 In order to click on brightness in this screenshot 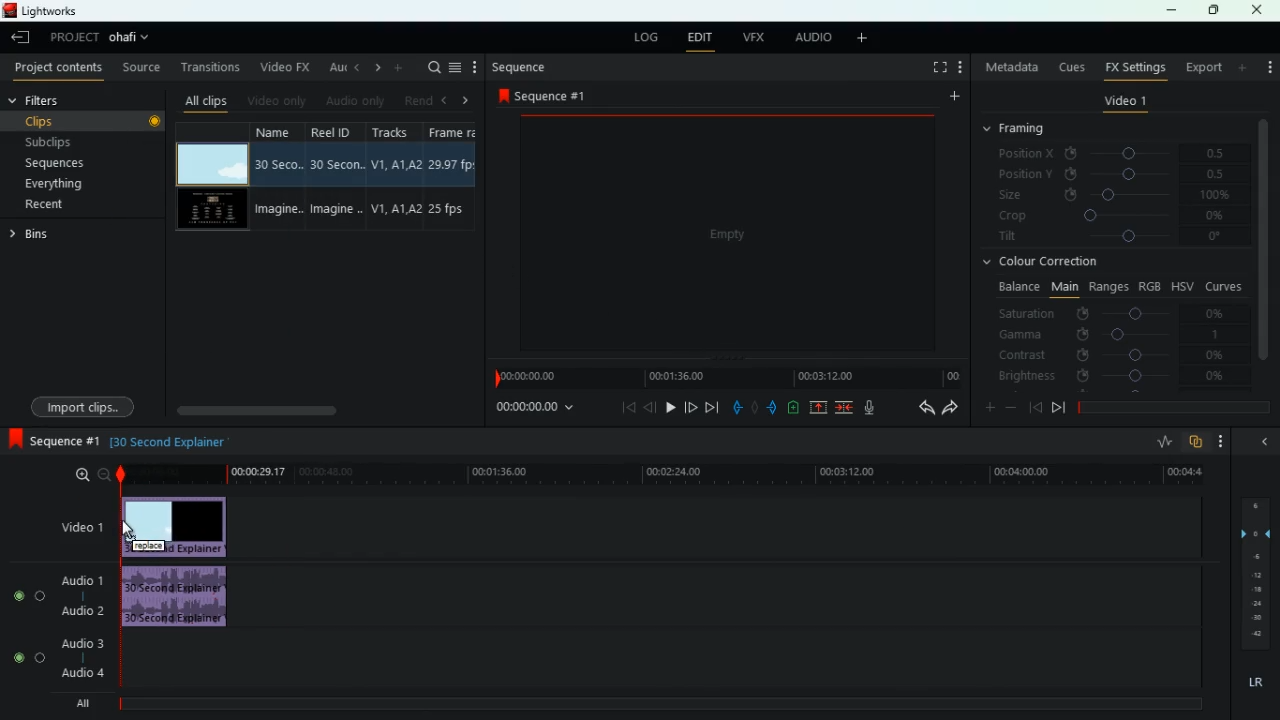, I will do `click(1113, 377)`.